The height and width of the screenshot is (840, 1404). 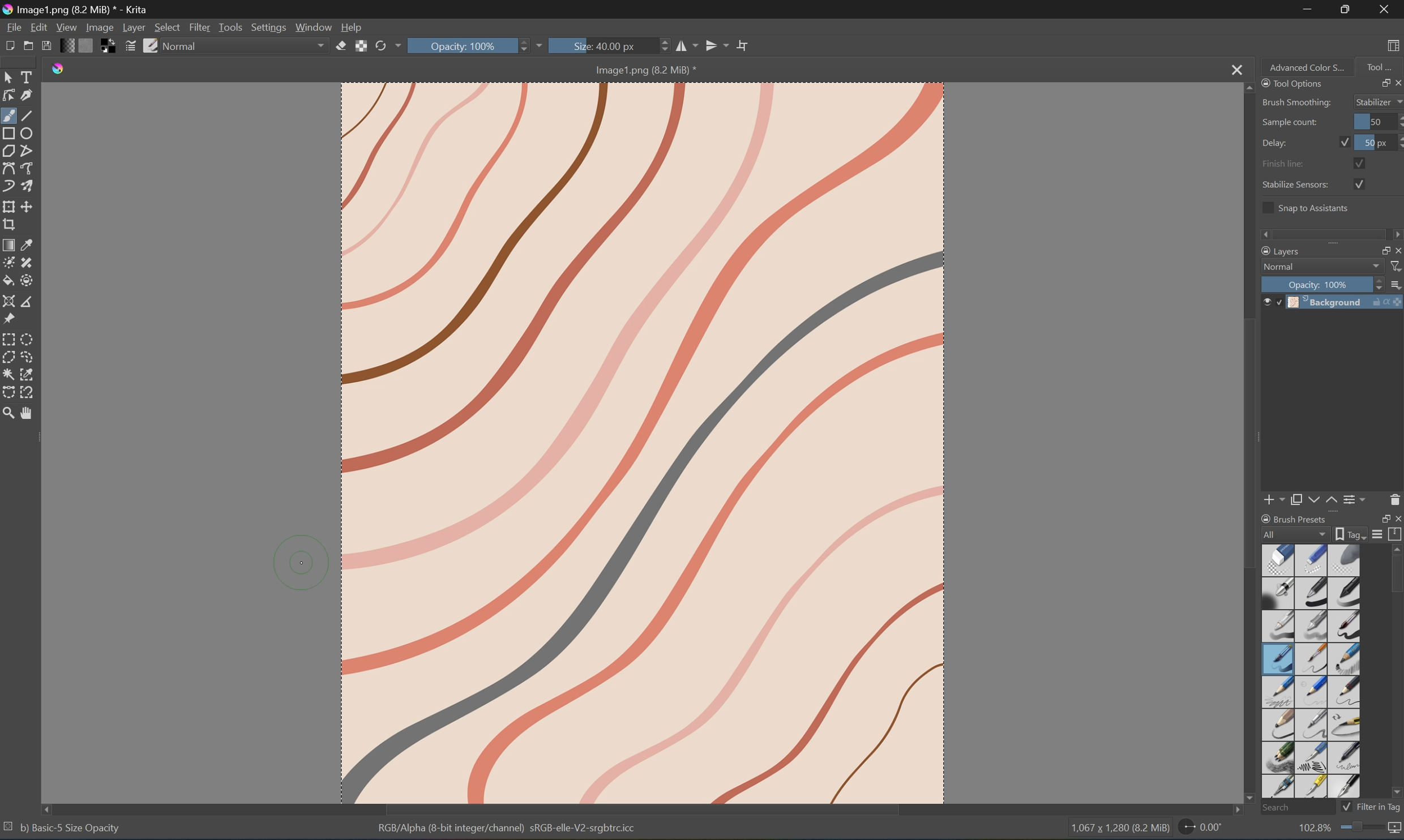 I want to click on Polyline tool, so click(x=27, y=151).